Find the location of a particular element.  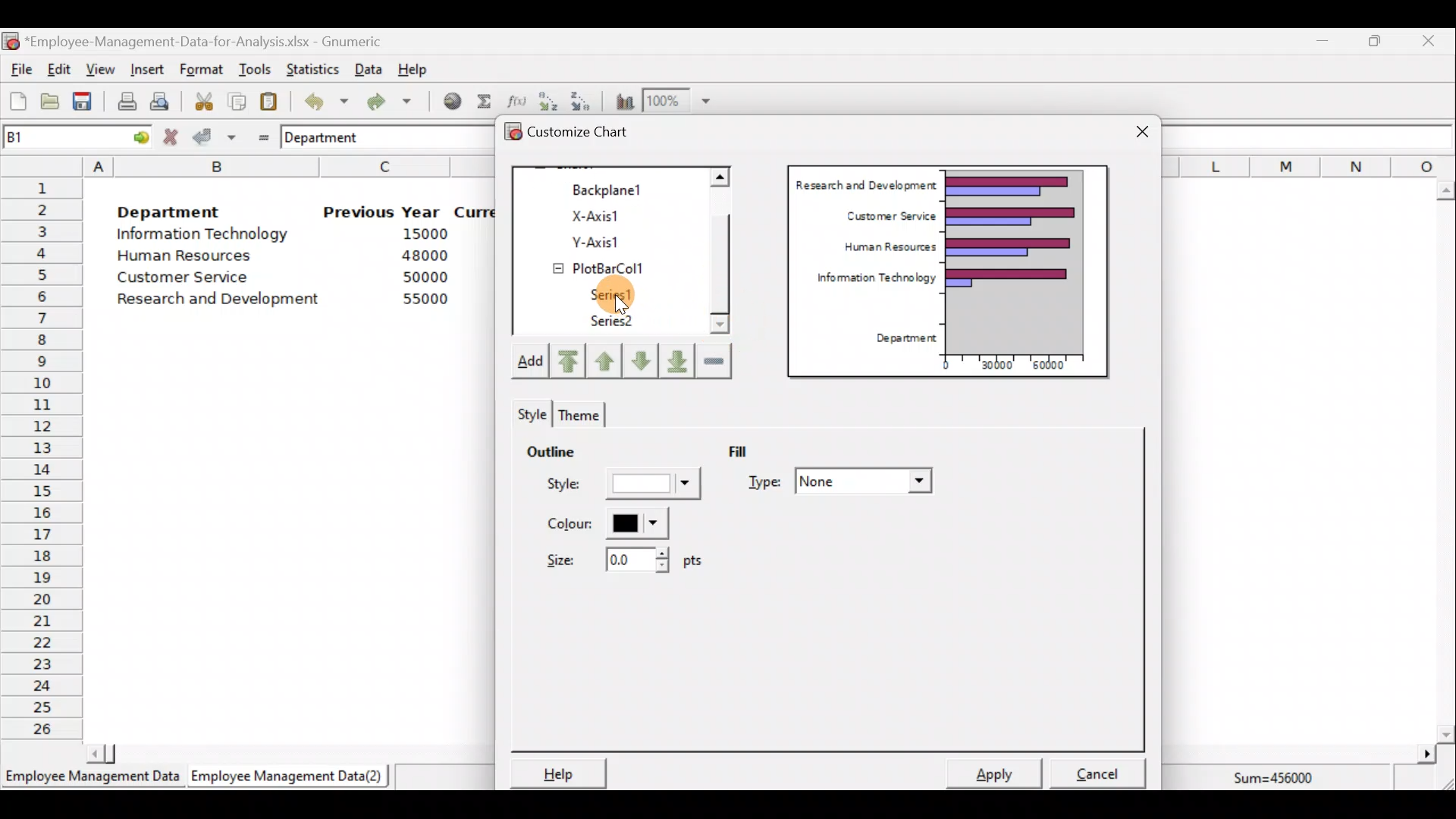

Y-axis1 is located at coordinates (615, 240).